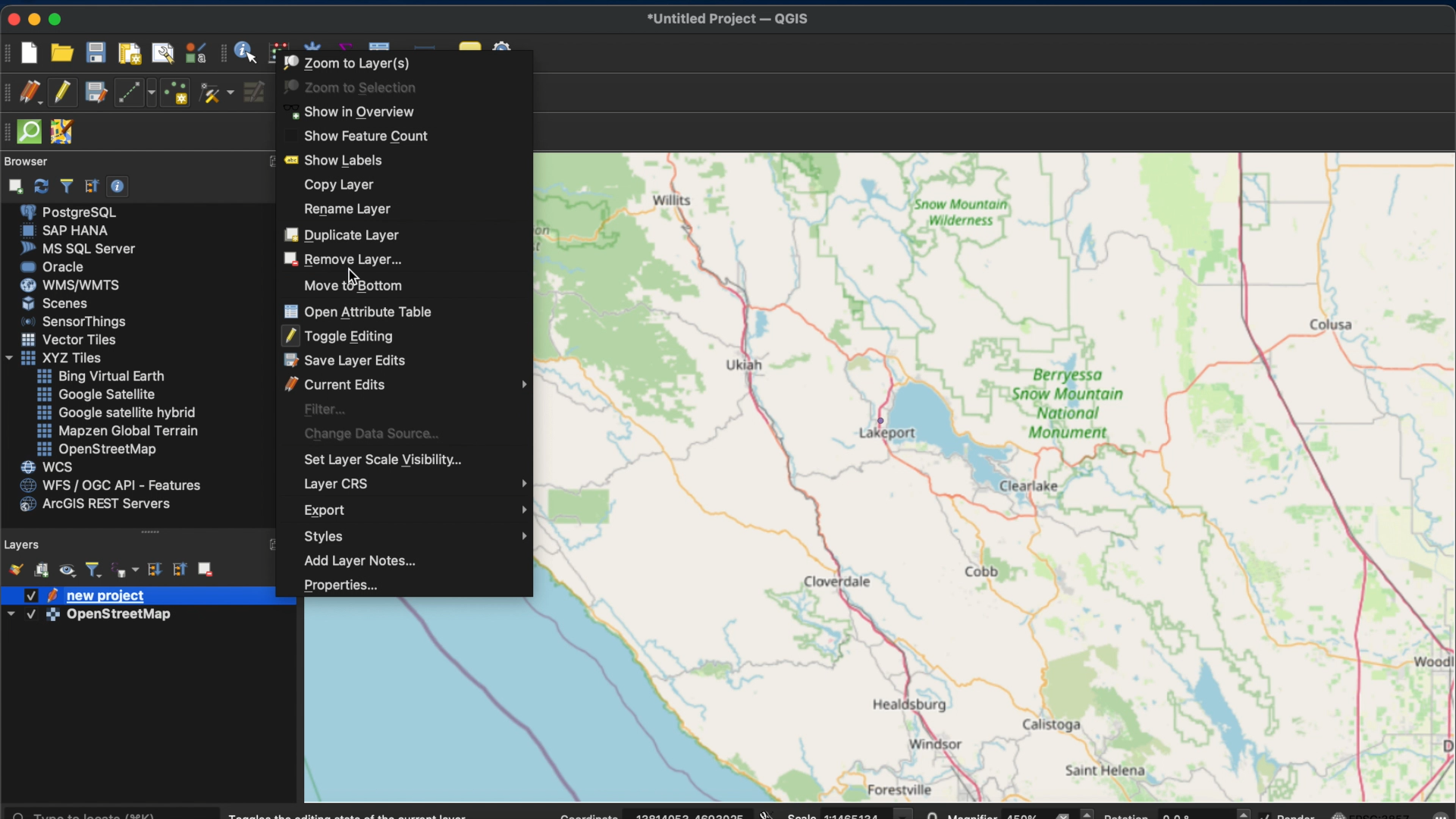 The image size is (1456, 819). I want to click on wms/wmts, so click(67, 284).